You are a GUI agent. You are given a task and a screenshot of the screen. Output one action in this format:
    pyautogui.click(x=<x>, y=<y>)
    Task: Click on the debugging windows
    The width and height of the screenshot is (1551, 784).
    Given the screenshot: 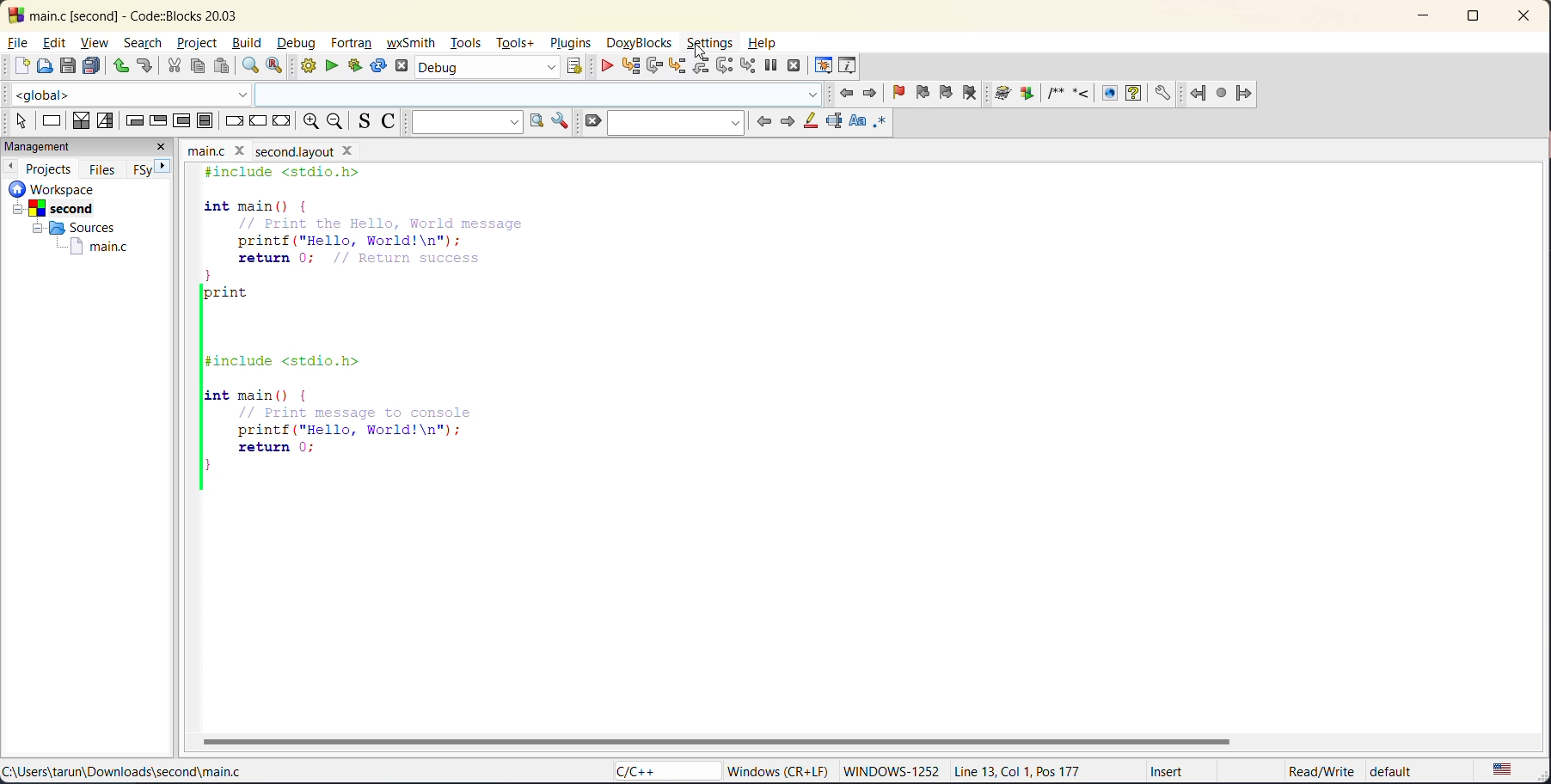 What is the action you would take?
    pyautogui.click(x=823, y=62)
    